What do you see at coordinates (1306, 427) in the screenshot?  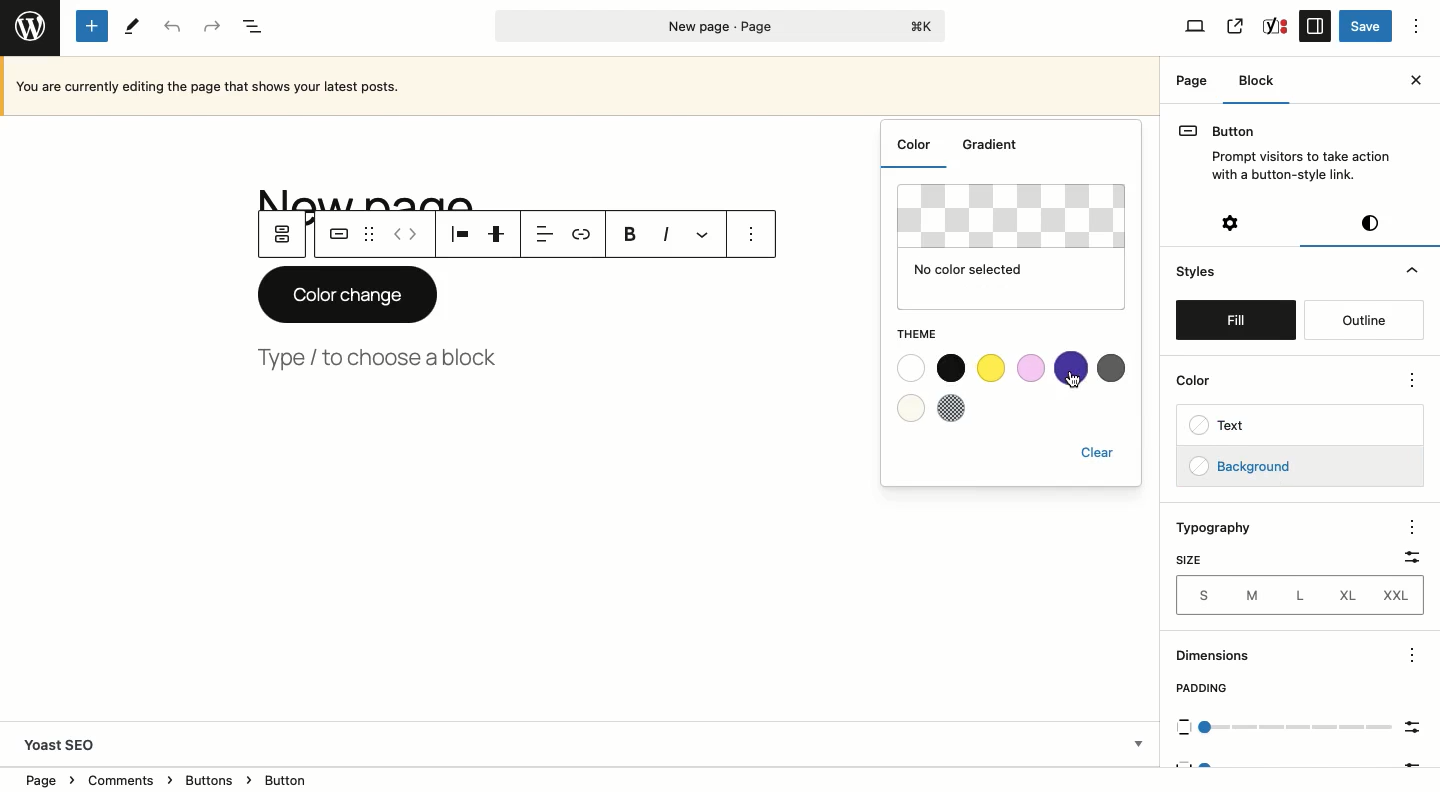 I see `Text` at bounding box center [1306, 427].